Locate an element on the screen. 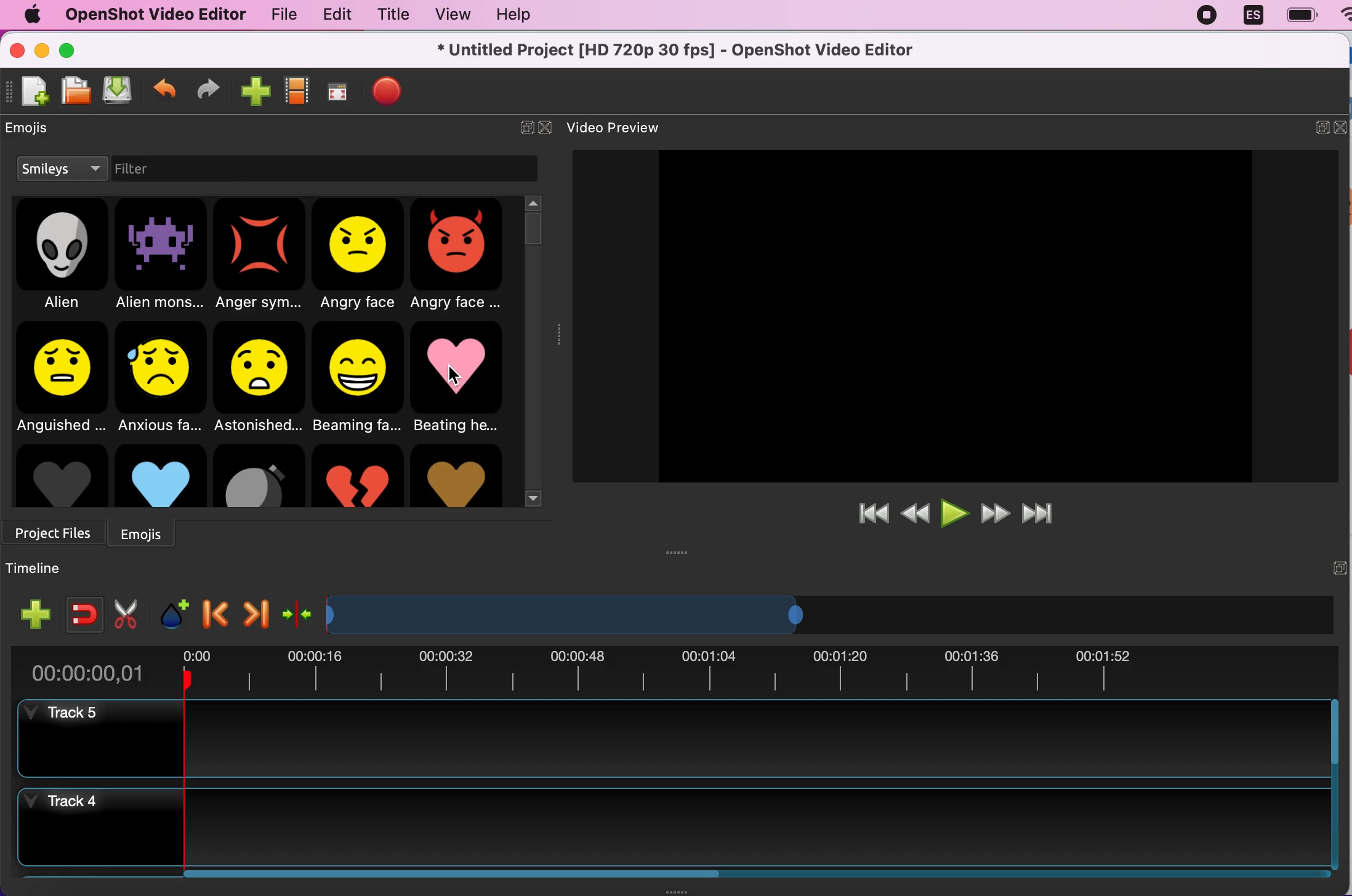 Image resolution: width=1352 pixels, height=896 pixels. alien monster is located at coordinates (161, 257).